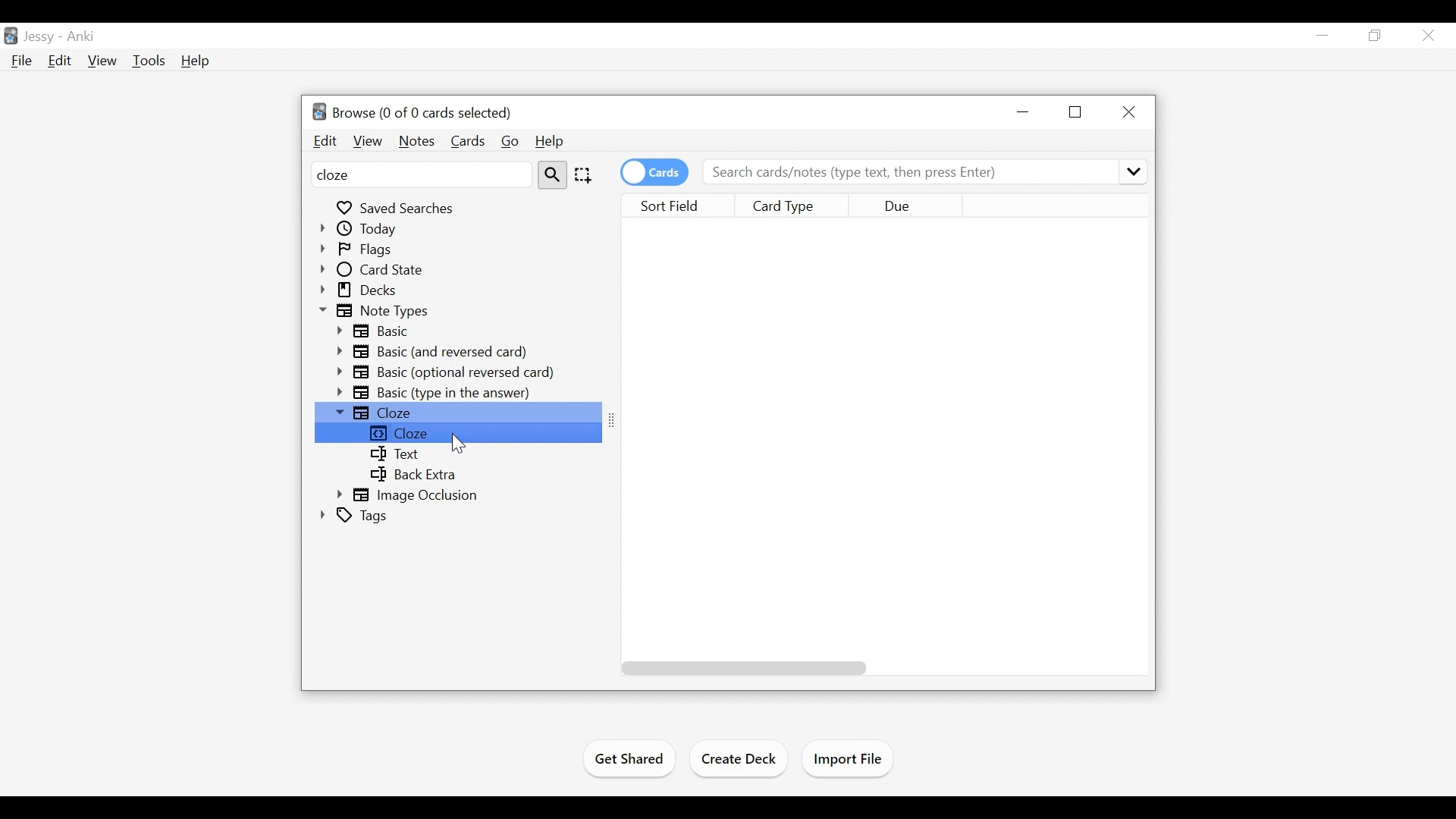 The height and width of the screenshot is (819, 1456). I want to click on Browse (number of cards out of cards selected), so click(412, 111).